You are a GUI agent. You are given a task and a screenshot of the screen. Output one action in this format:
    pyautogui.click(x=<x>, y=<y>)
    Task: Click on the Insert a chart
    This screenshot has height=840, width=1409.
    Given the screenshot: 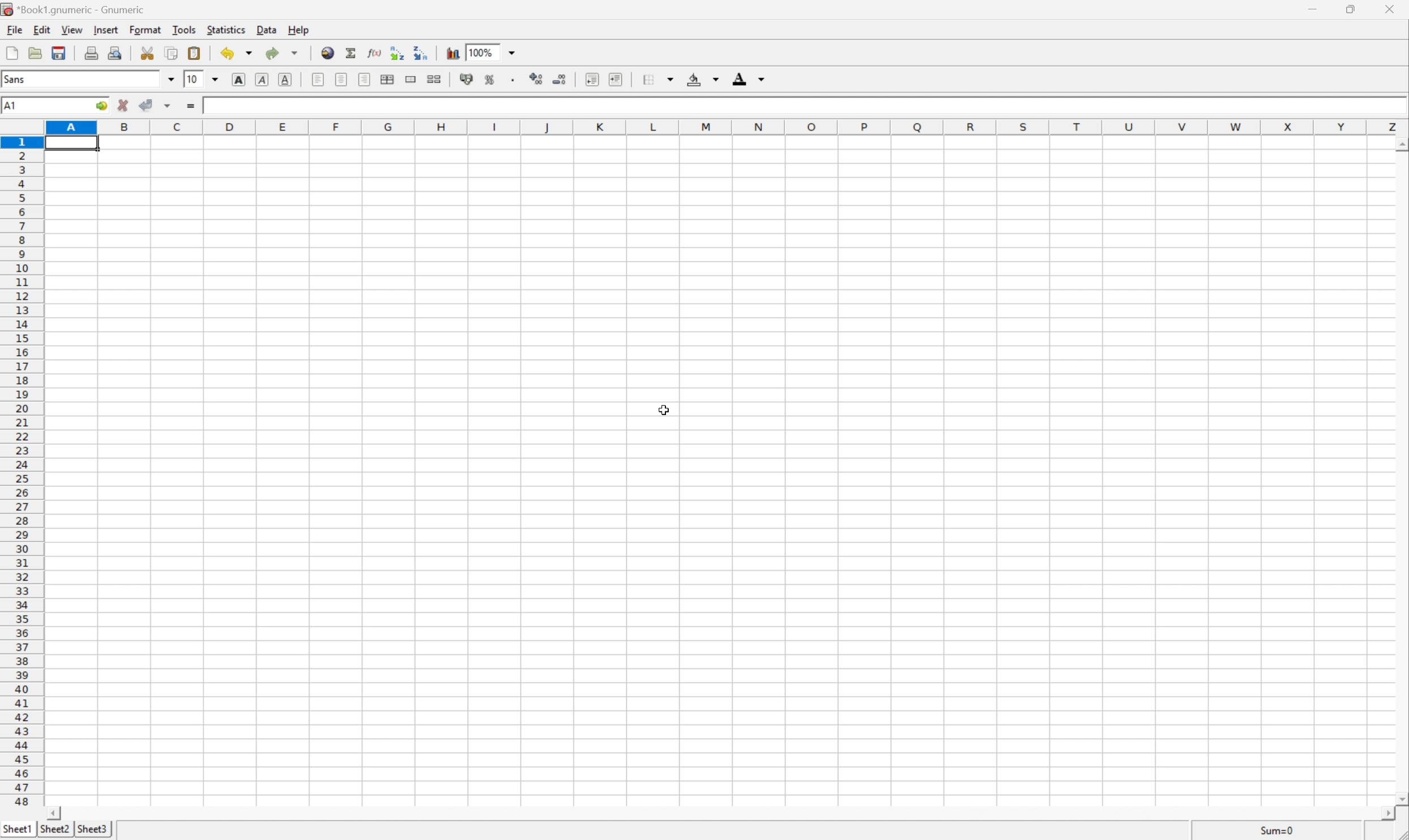 What is the action you would take?
    pyautogui.click(x=452, y=54)
    